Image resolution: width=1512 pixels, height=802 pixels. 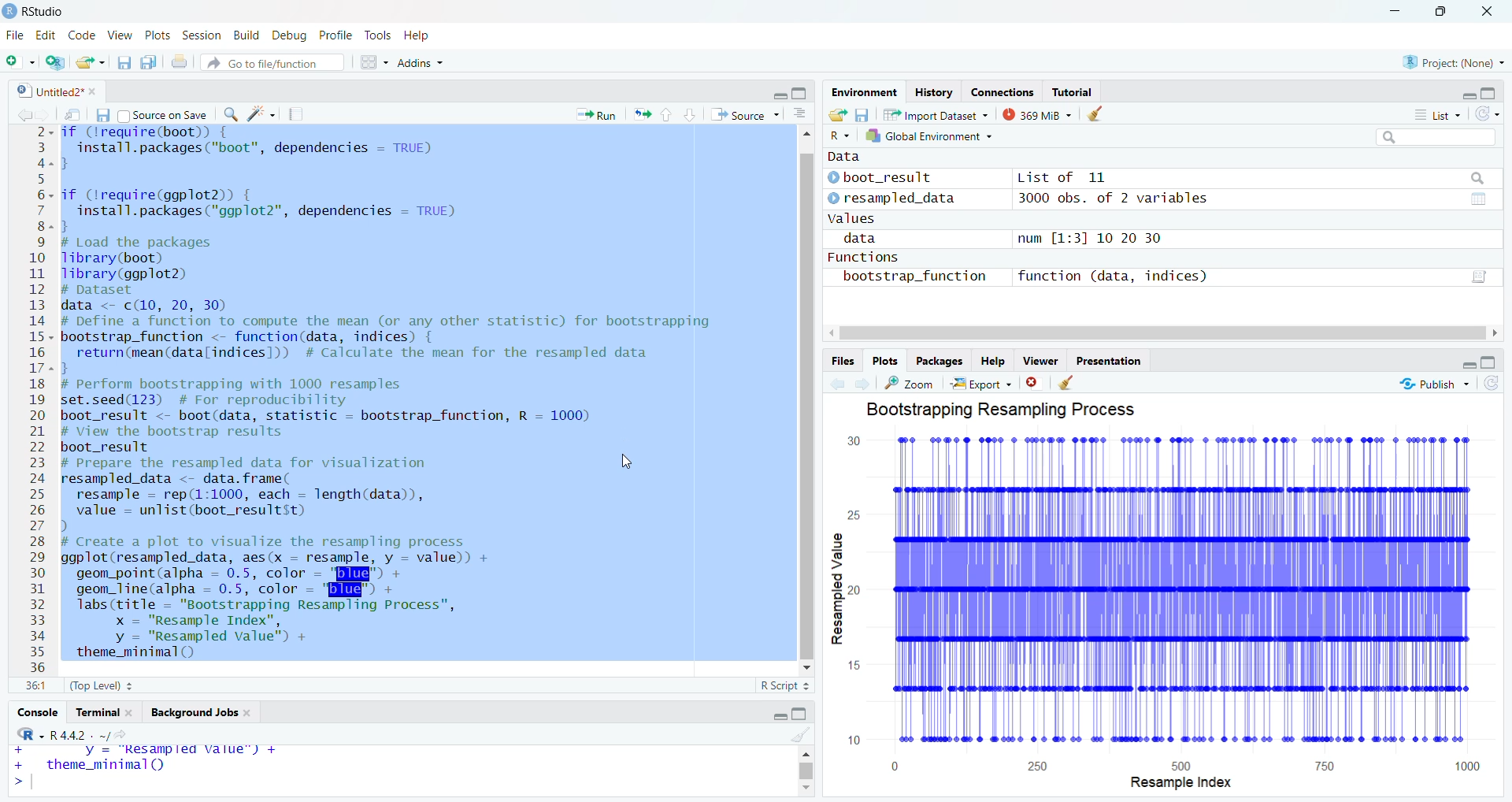 I want to click on refresh, so click(x=1492, y=384).